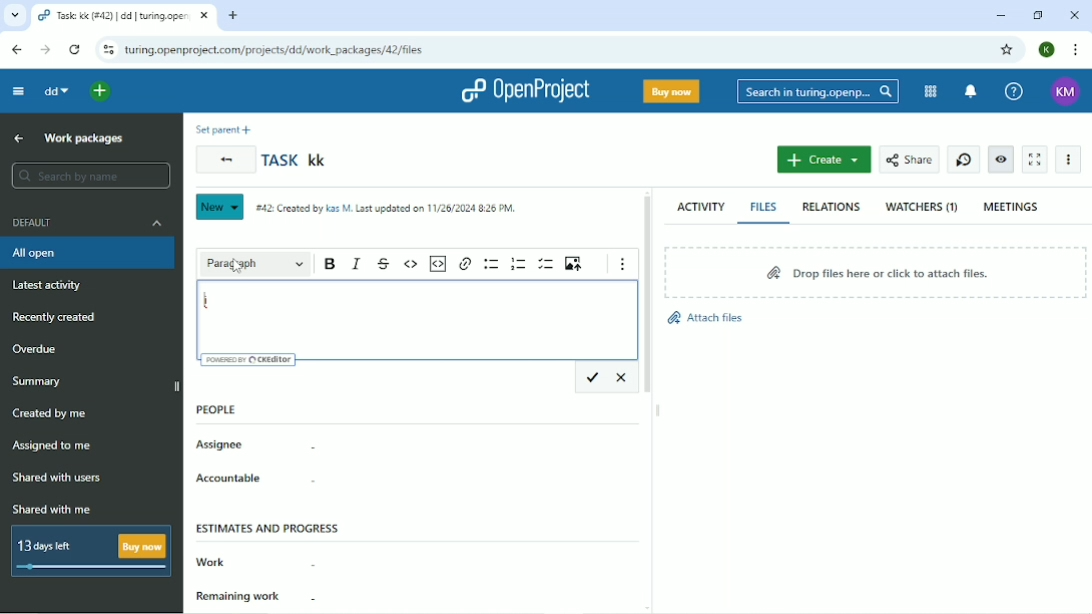 The image size is (1092, 614). What do you see at coordinates (830, 206) in the screenshot?
I see `Relations` at bounding box center [830, 206].